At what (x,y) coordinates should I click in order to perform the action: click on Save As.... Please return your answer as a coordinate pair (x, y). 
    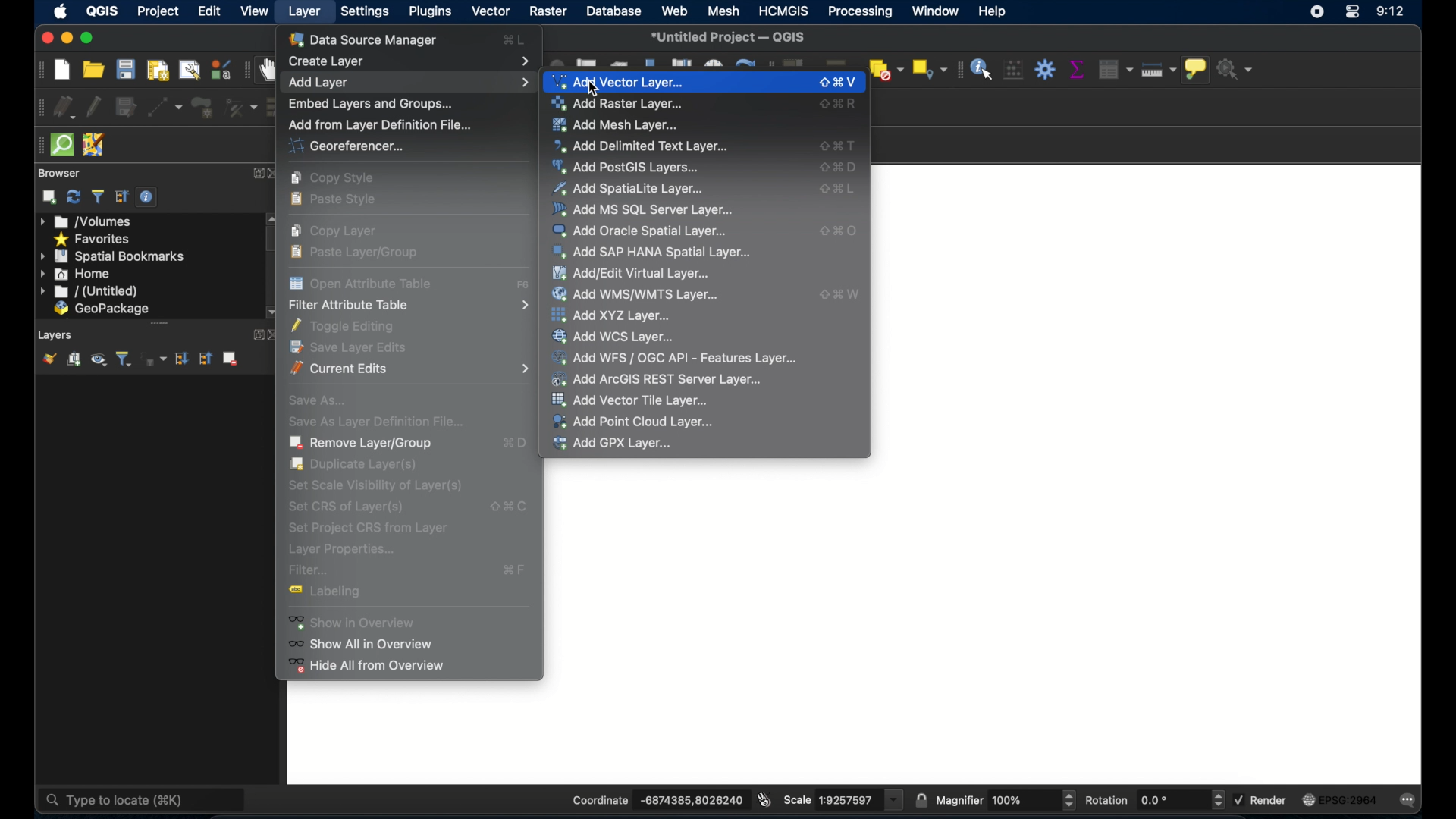
    Looking at the image, I should click on (322, 400).